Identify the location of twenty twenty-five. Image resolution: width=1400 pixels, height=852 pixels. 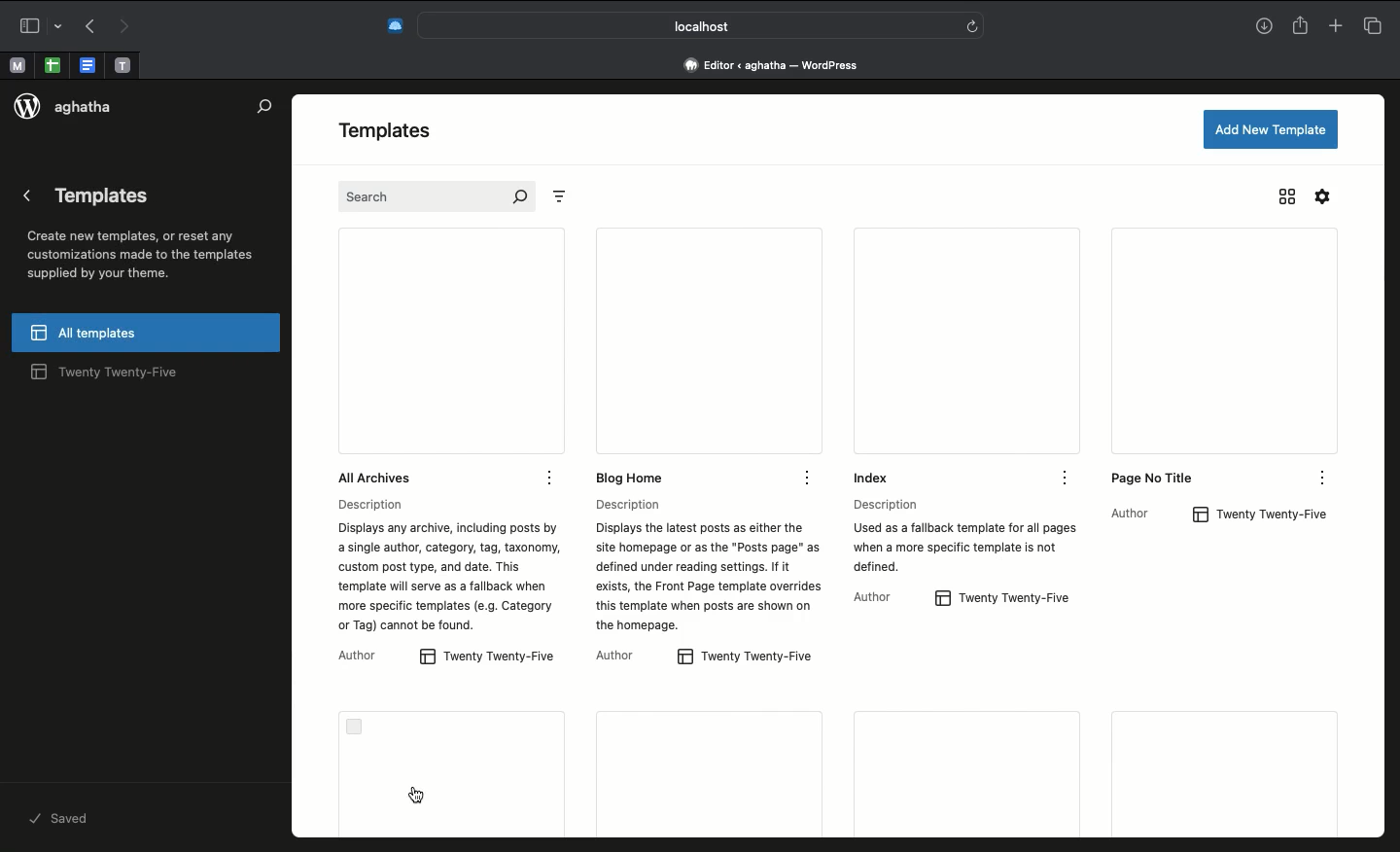
(110, 373).